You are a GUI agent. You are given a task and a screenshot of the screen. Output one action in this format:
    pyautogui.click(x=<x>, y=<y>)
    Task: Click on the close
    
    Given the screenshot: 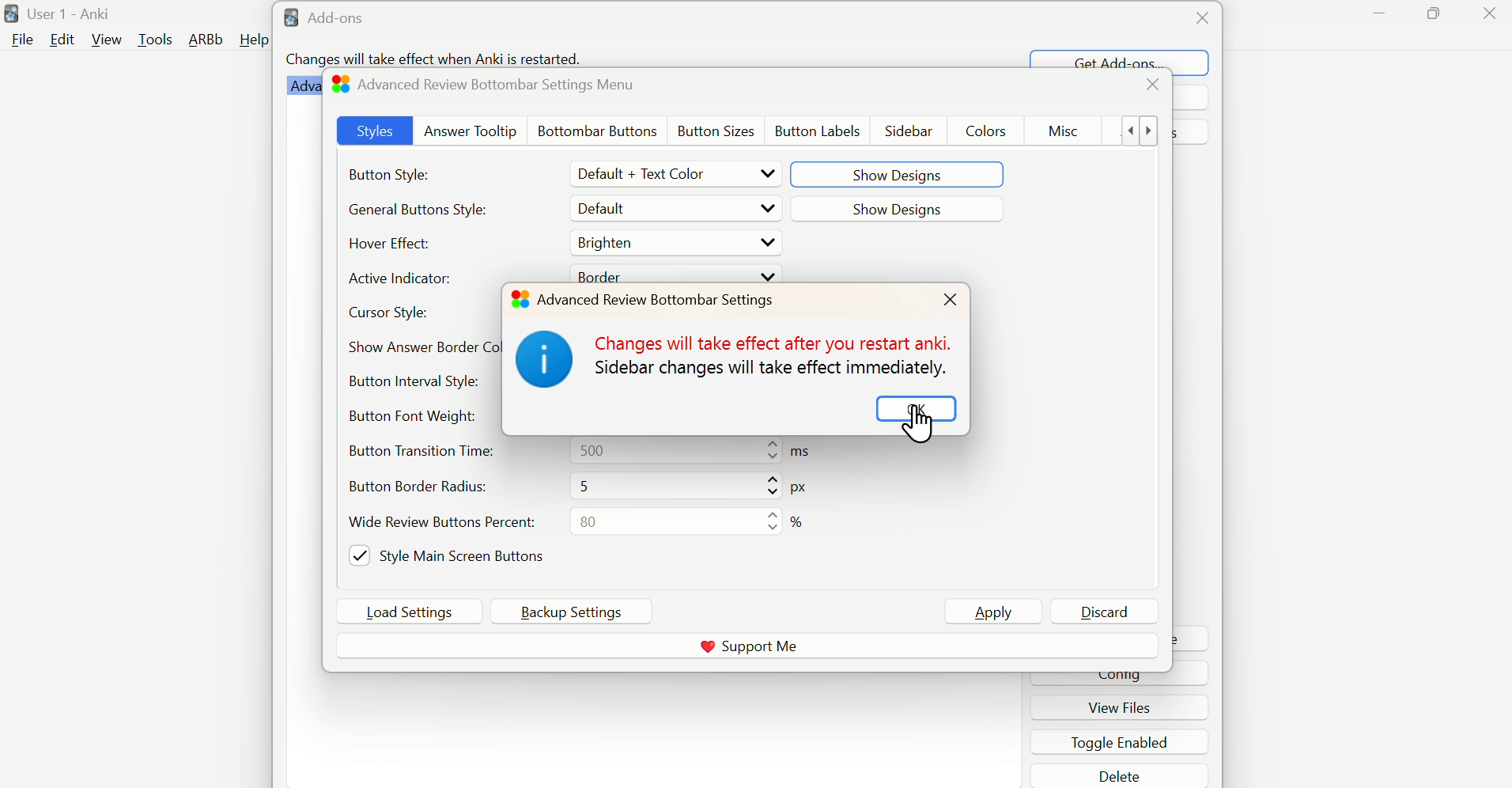 What is the action you would take?
    pyautogui.click(x=1145, y=89)
    